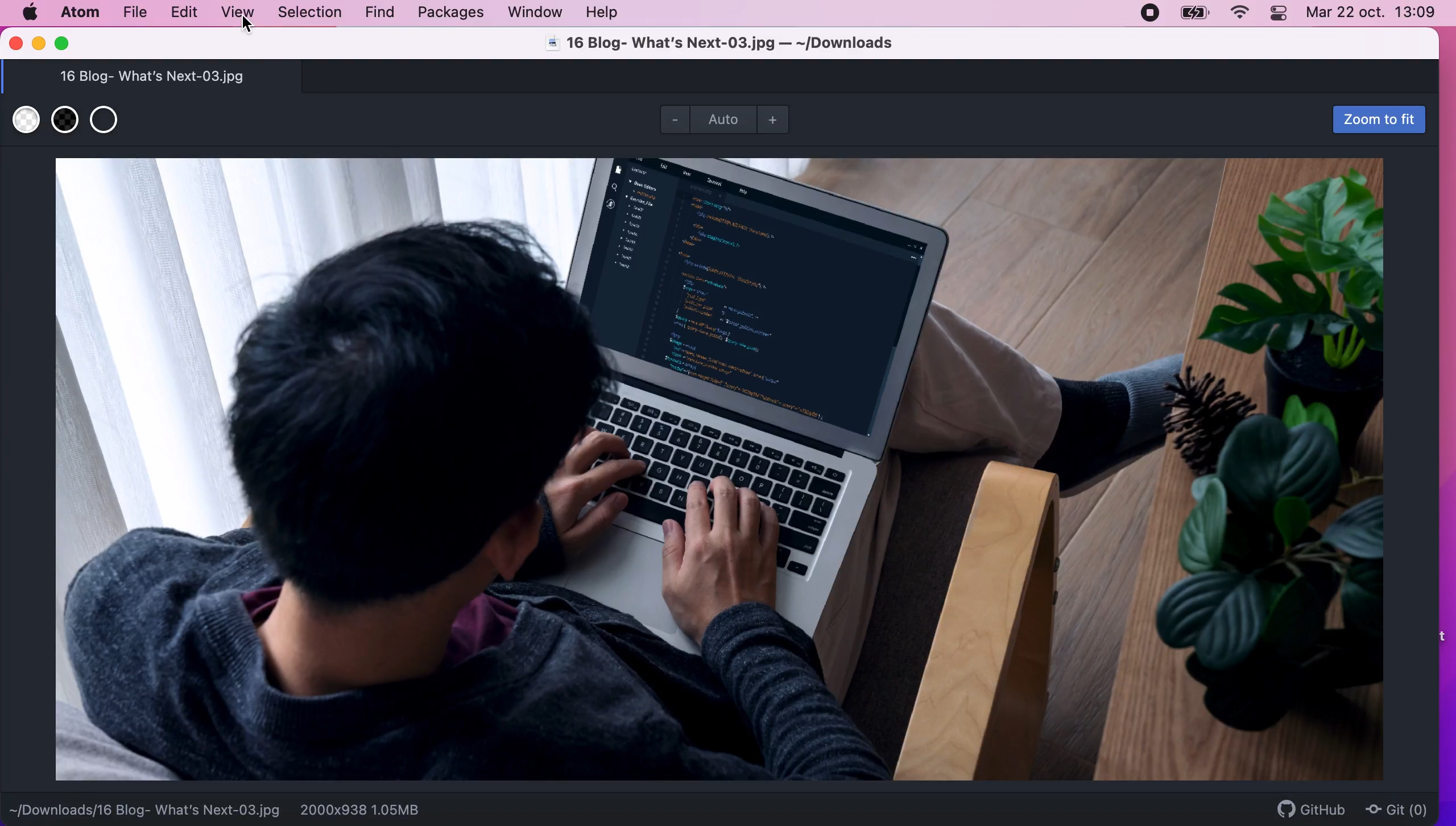  Describe the element at coordinates (606, 14) in the screenshot. I see `help` at that location.